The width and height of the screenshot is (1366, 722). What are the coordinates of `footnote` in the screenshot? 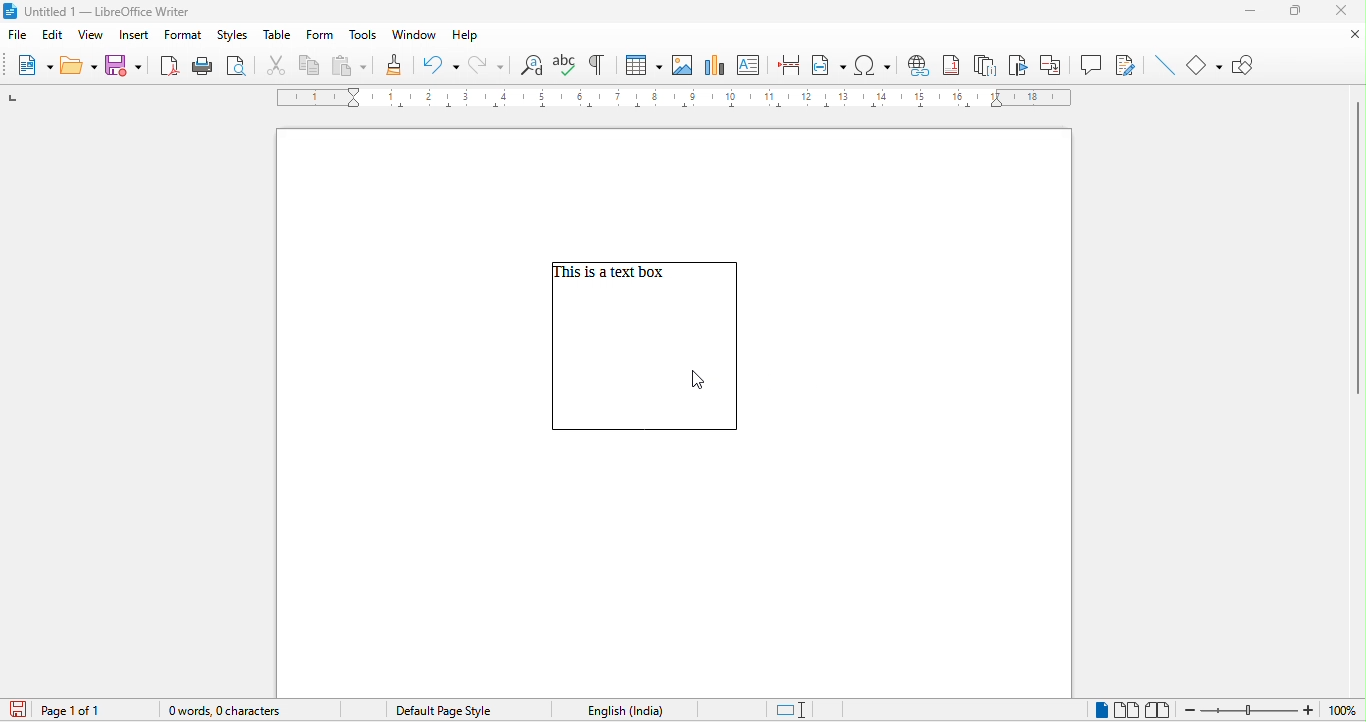 It's located at (950, 64).